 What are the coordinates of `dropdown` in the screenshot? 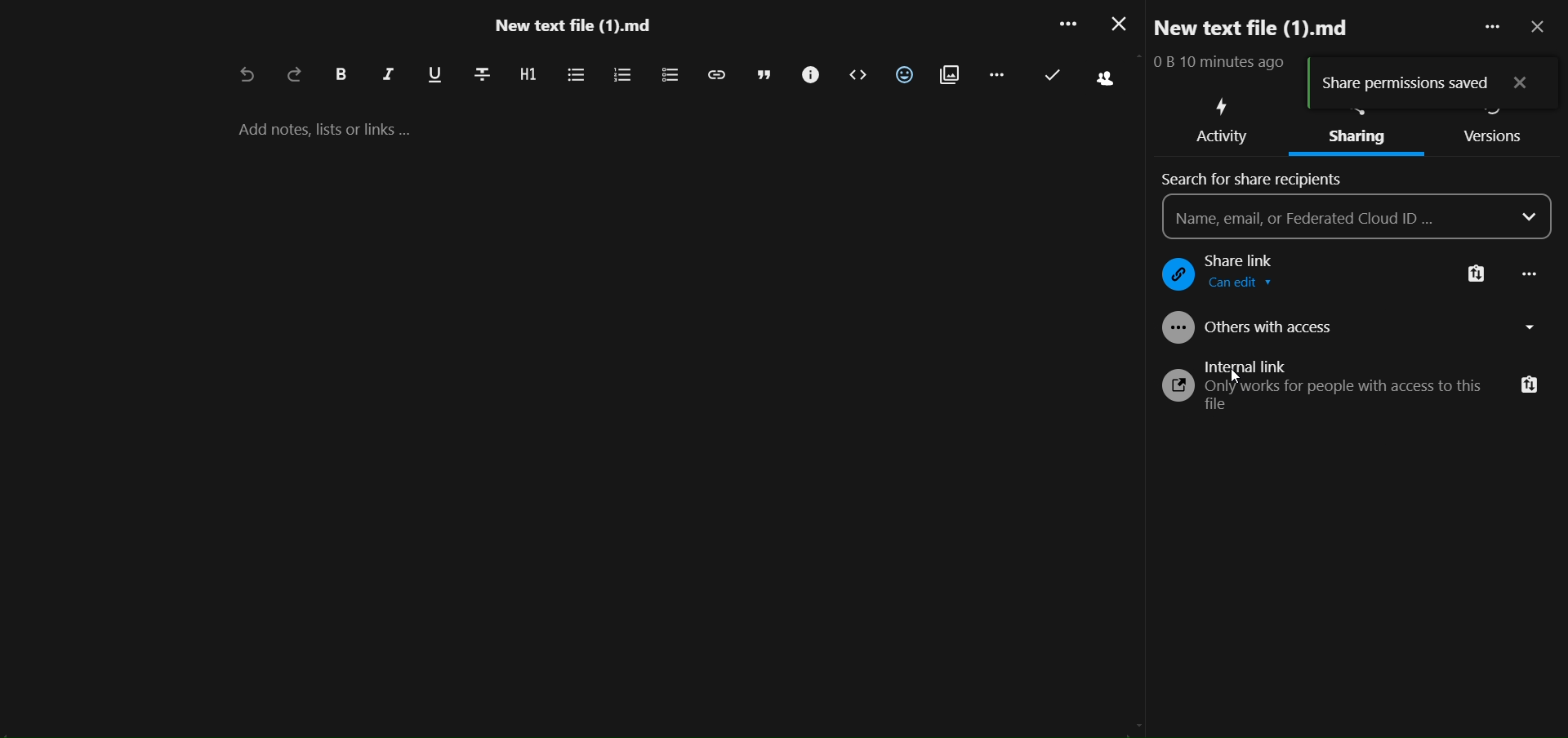 It's located at (1535, 327).